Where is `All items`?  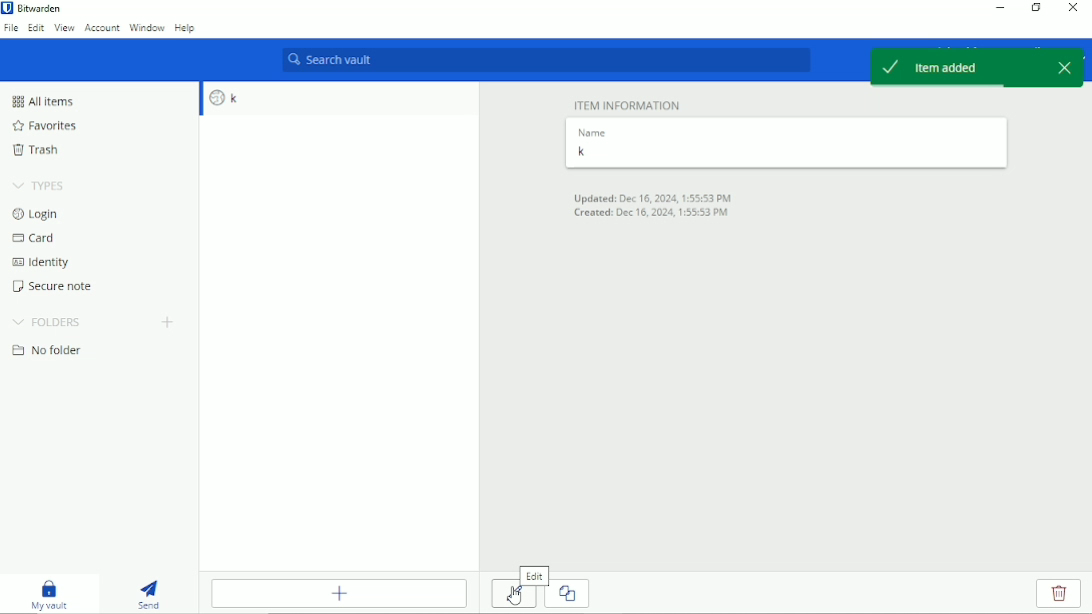
All items is located at coordinates (45, 101).